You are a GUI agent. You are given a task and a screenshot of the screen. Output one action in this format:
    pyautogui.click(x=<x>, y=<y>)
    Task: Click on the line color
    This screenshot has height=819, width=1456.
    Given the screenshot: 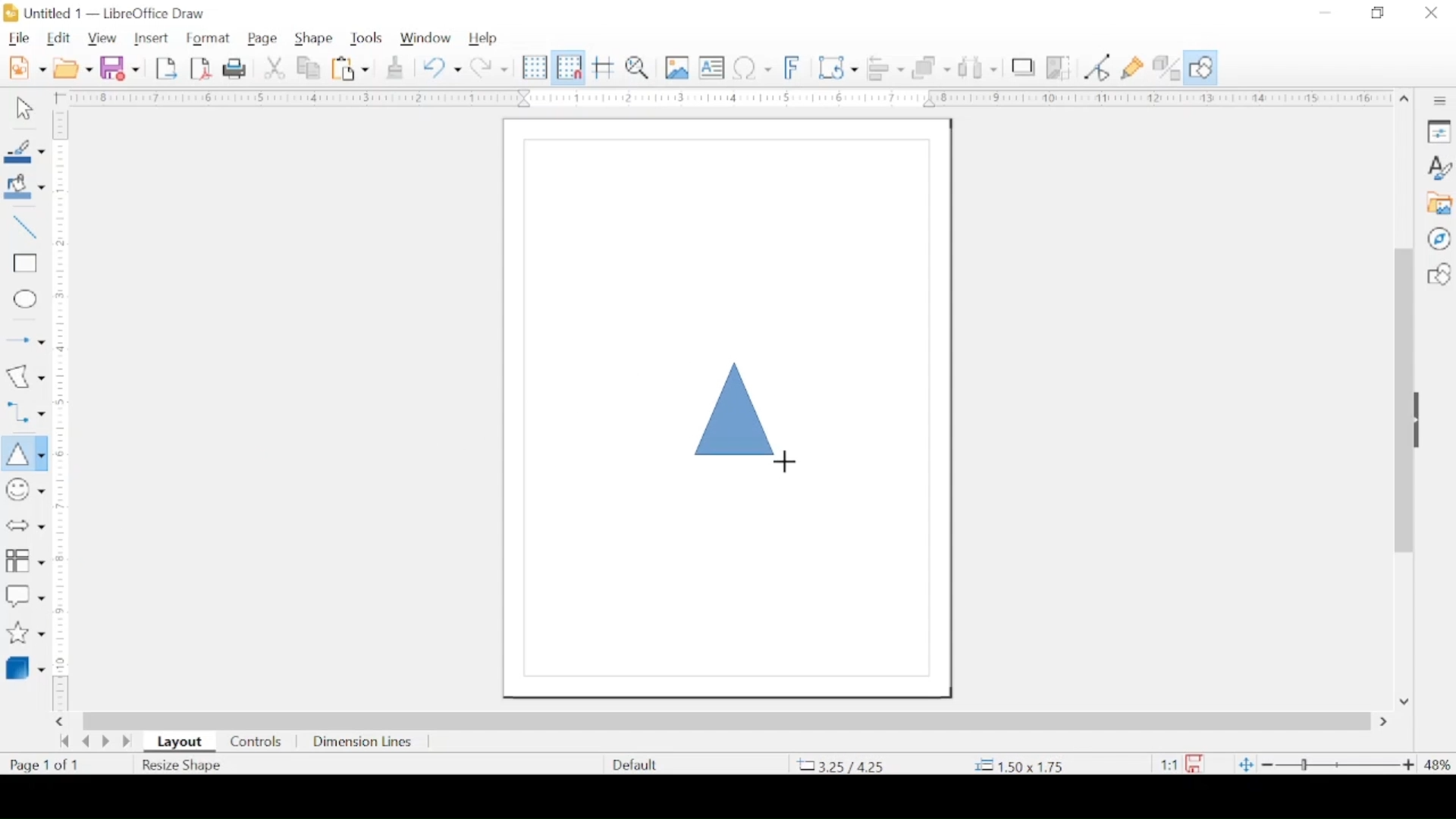 What is the action you would take?
    pyautogui.click(x=24, y=151)
    